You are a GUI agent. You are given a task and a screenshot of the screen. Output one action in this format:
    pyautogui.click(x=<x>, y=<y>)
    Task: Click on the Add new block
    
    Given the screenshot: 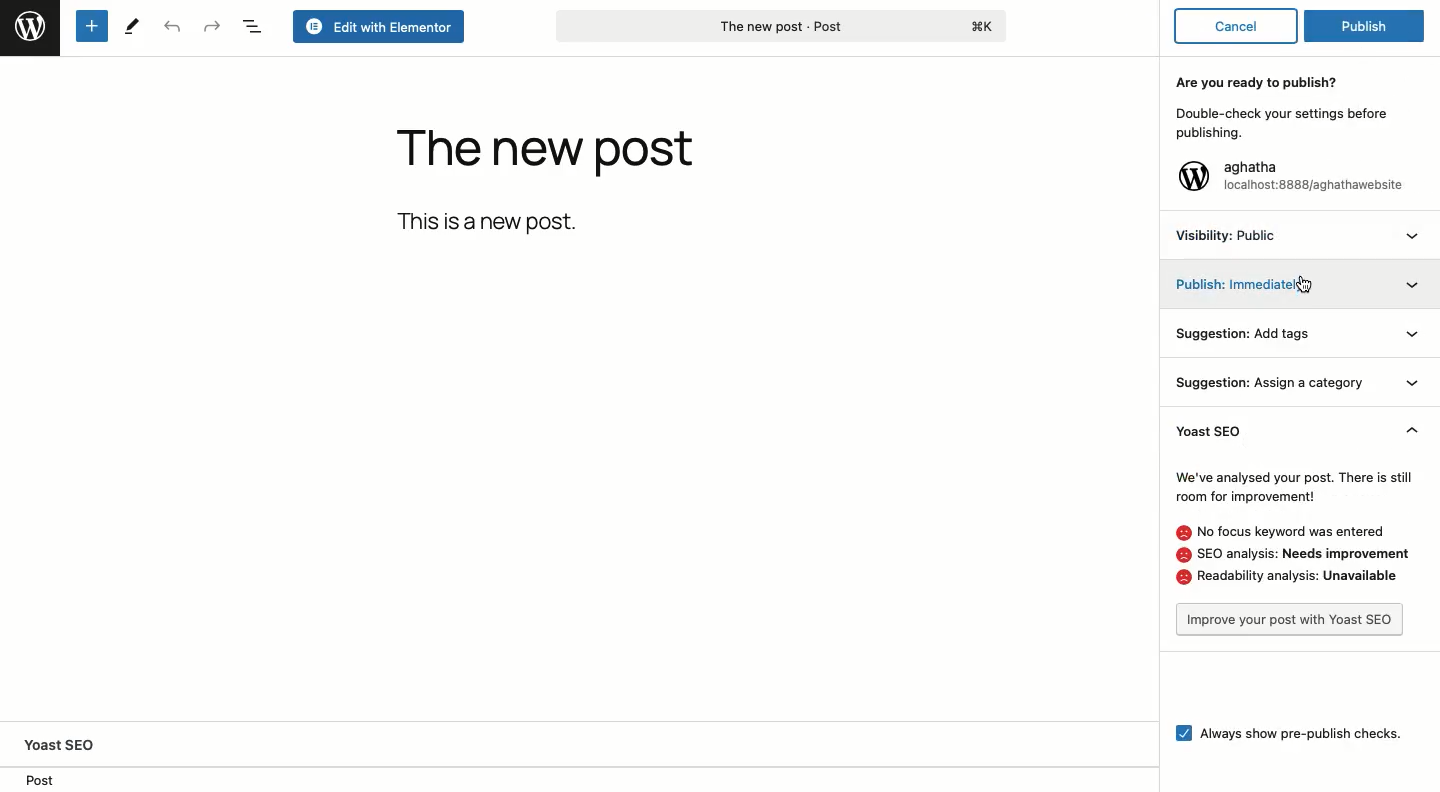 What is the action you would take?
    pyautogui.click(x=92, y=26)
    